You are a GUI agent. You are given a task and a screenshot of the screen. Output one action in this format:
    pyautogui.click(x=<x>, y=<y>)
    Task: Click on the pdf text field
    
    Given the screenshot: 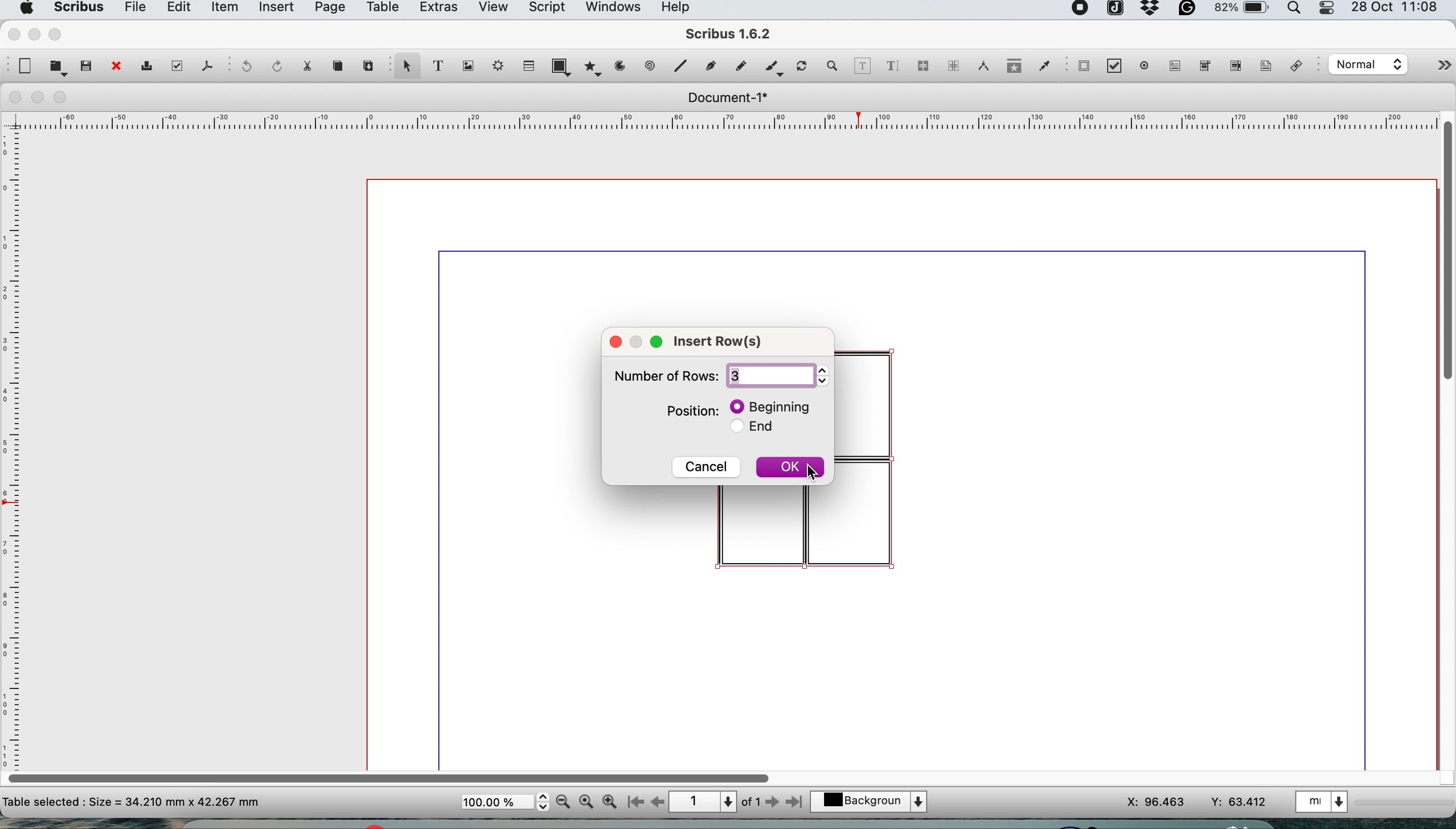 What is the action you would take?
    pyautogui.click(x=1172, y=66)
    